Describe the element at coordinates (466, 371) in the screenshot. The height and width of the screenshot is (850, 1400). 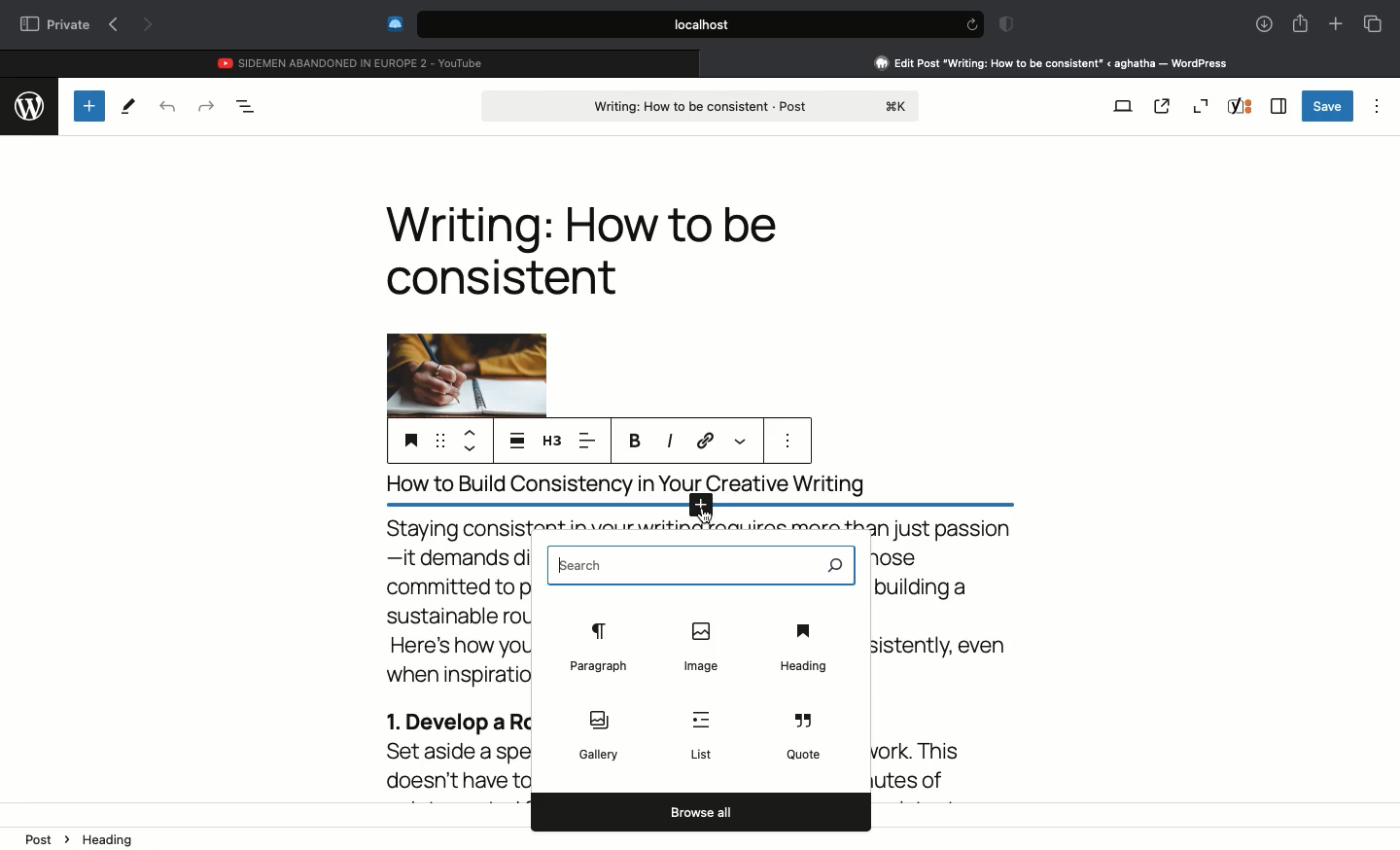
I see `Image` at that location.